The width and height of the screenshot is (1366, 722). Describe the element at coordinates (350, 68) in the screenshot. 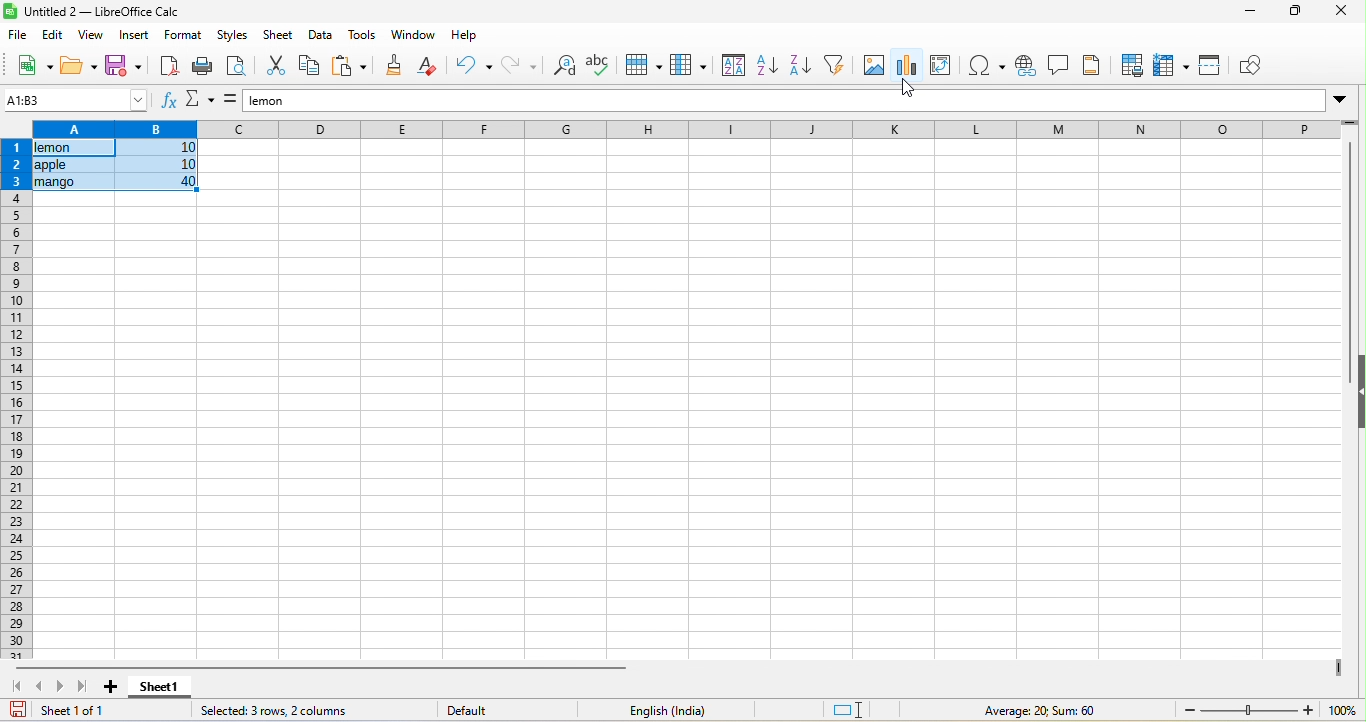

I see `paste` at that location.